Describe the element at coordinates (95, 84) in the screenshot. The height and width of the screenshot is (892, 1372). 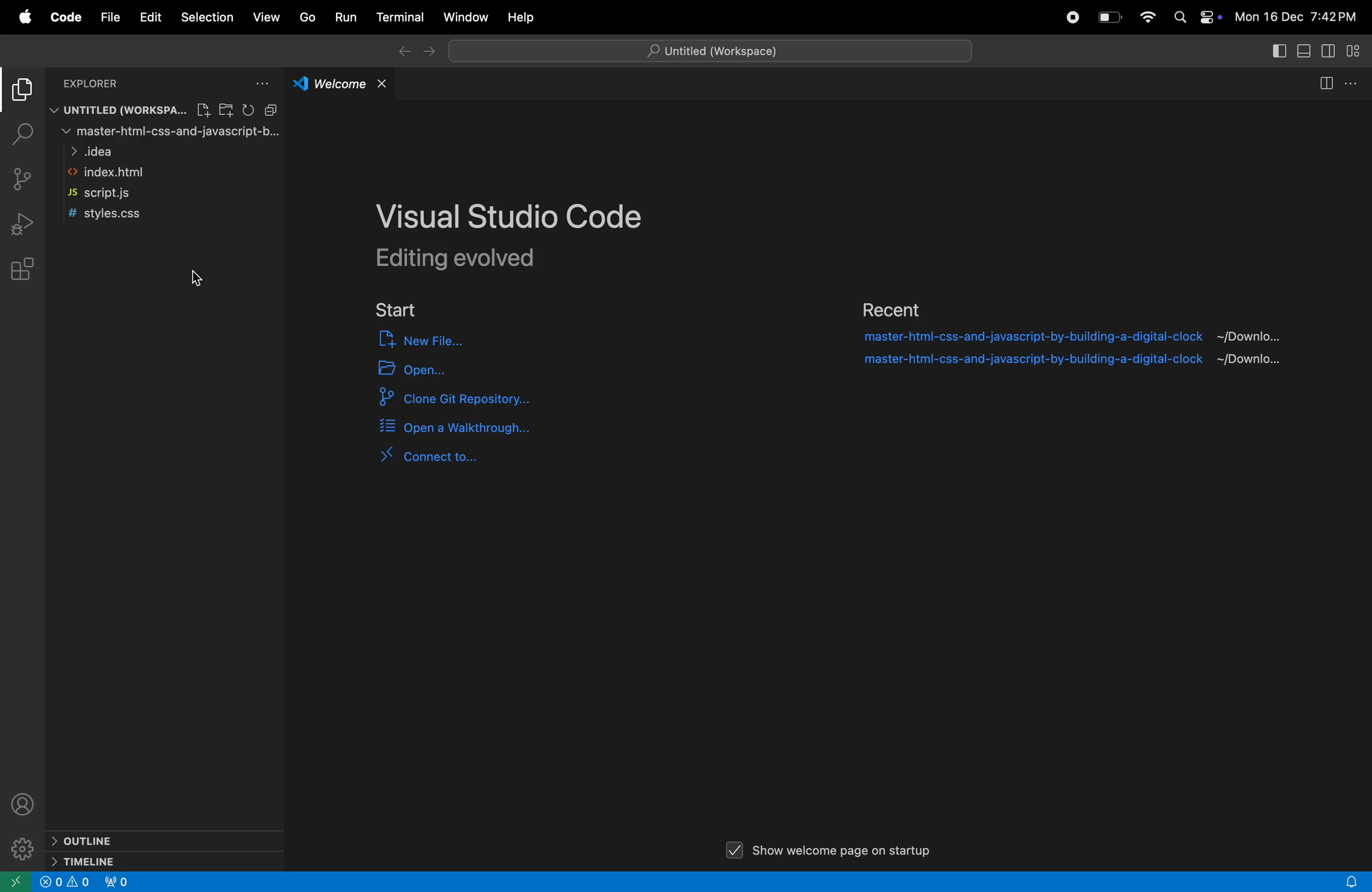
I see `EXPLORER` at that location.